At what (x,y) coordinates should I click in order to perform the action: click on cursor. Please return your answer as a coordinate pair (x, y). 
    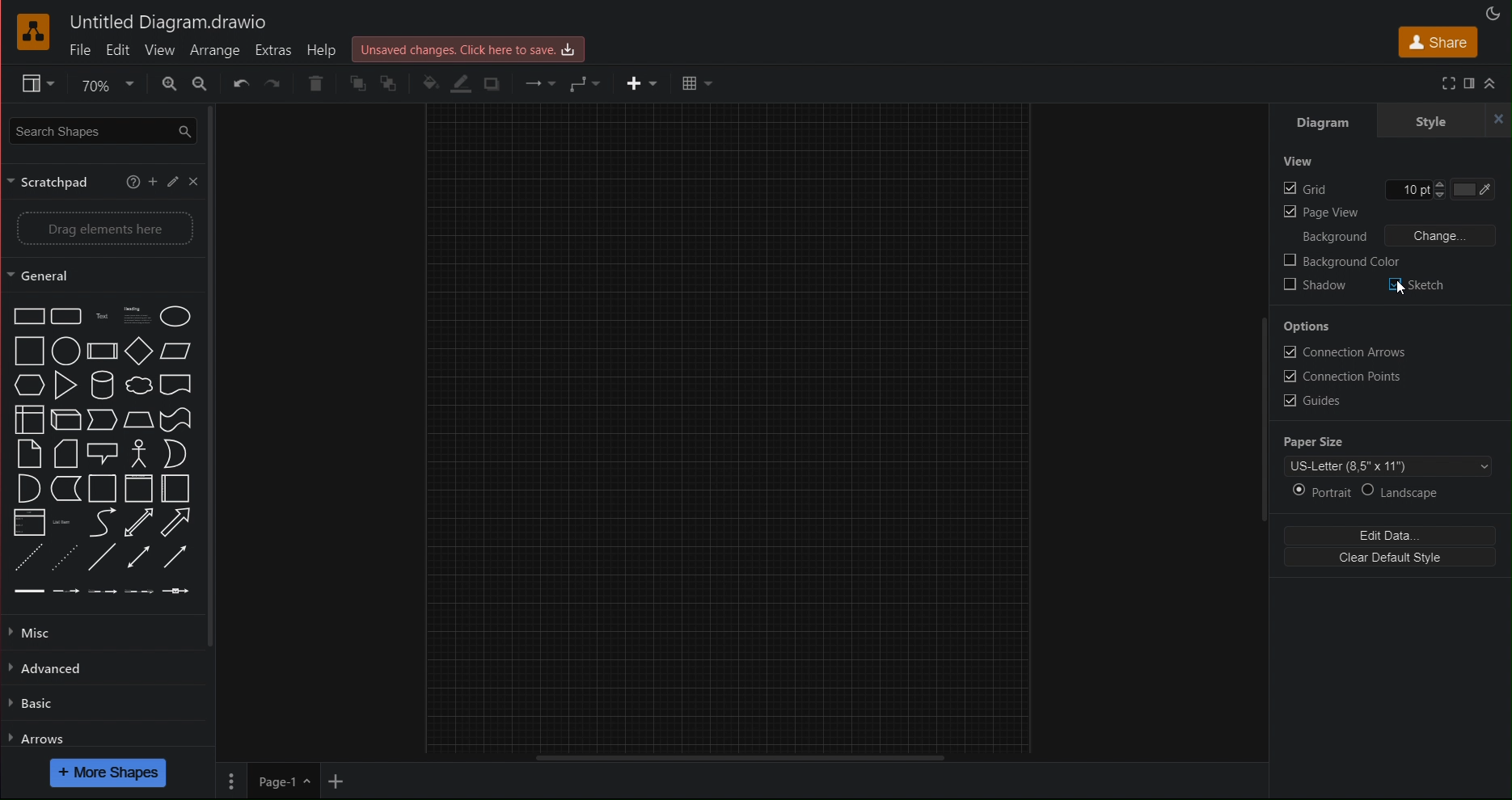
    Looking at the image, I should click on (1400, 288).